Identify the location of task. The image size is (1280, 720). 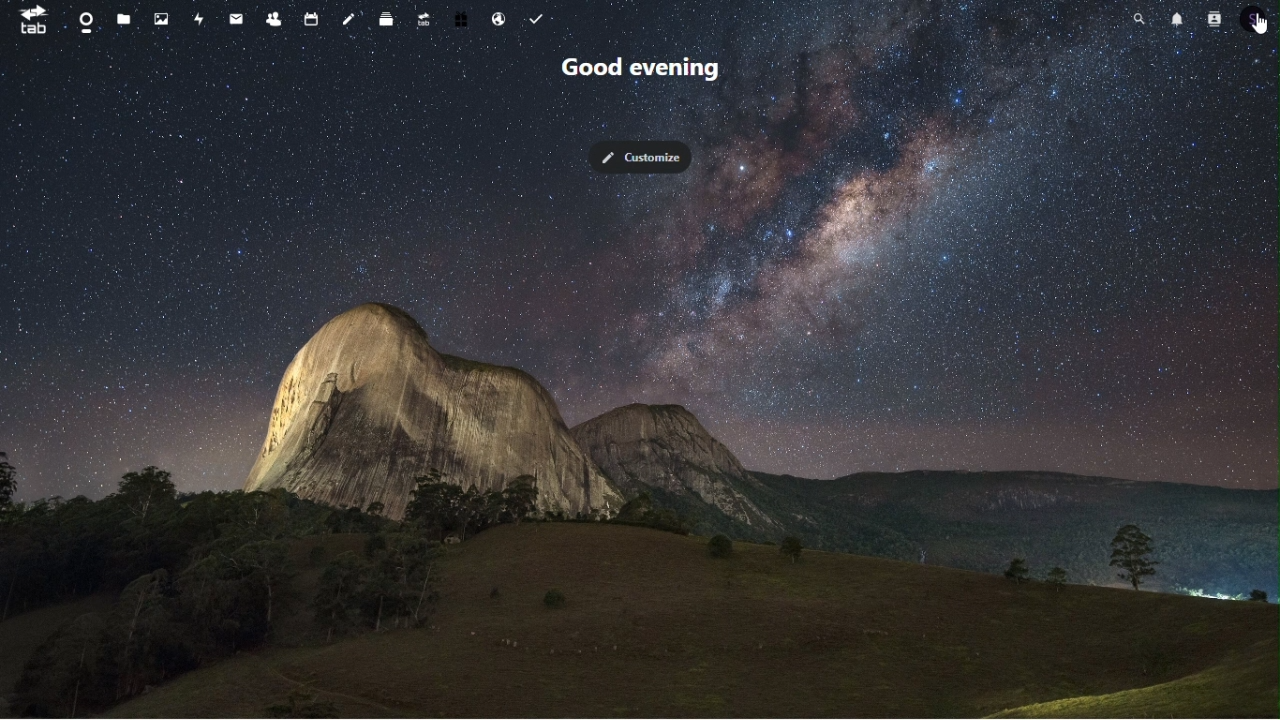
(533, 18).